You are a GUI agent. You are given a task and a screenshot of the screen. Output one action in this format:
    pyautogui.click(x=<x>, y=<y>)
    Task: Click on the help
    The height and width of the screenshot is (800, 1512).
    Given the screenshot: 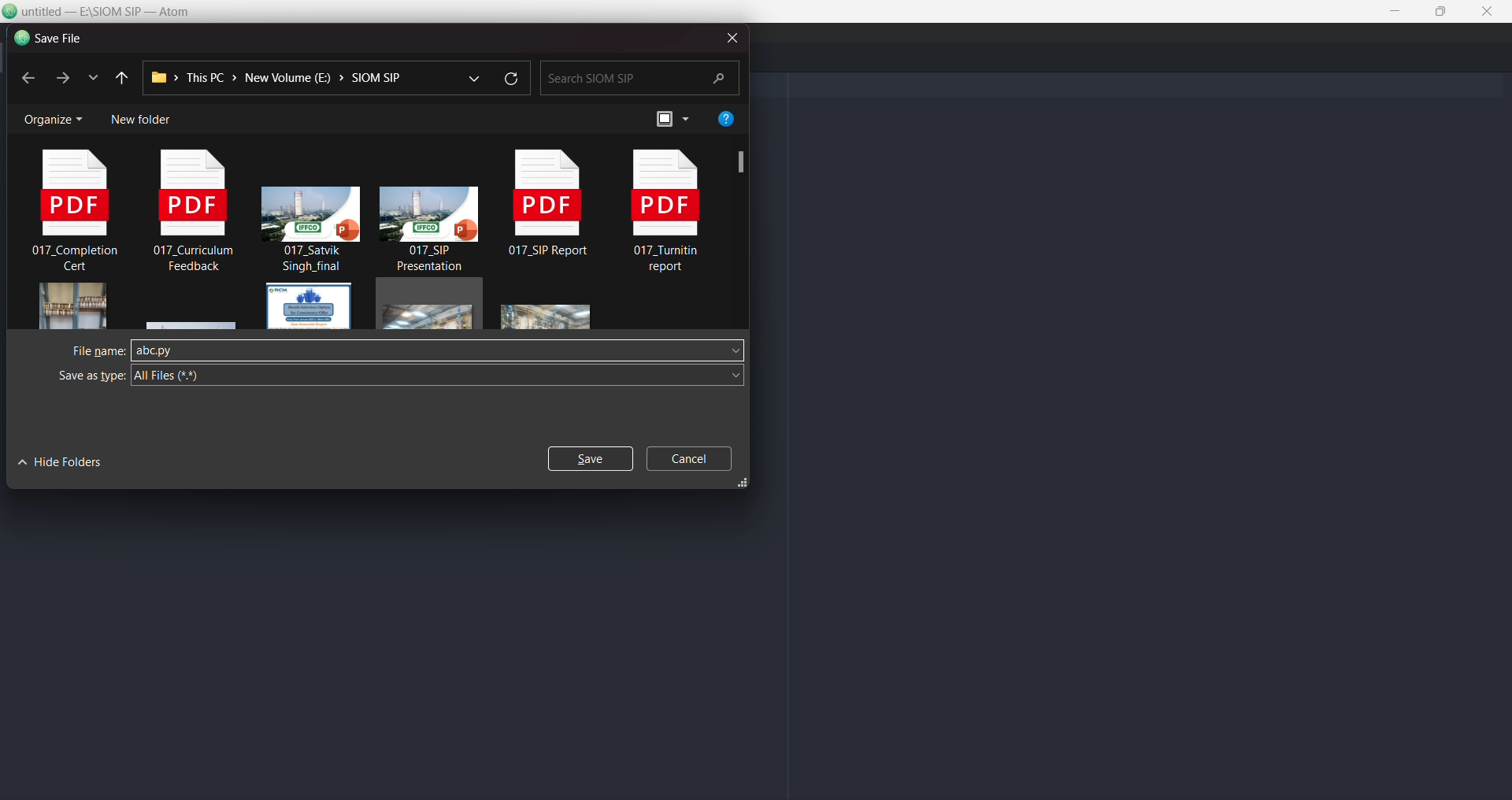 What is the action you would take?
    pyautogui.click(x=727, y=119)
    